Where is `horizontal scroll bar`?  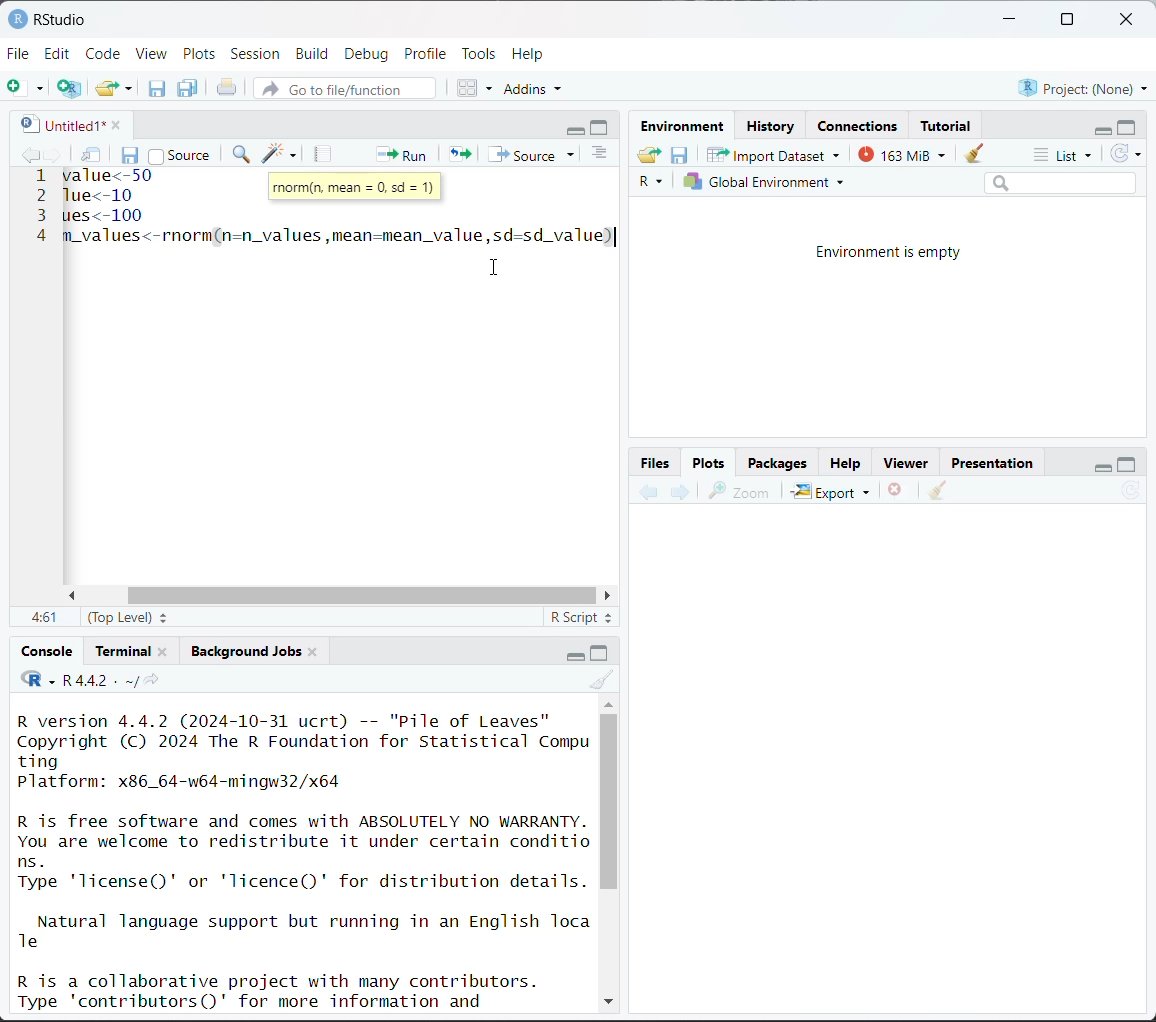 horizontal scroll bar is located at coordinates (360, 596).